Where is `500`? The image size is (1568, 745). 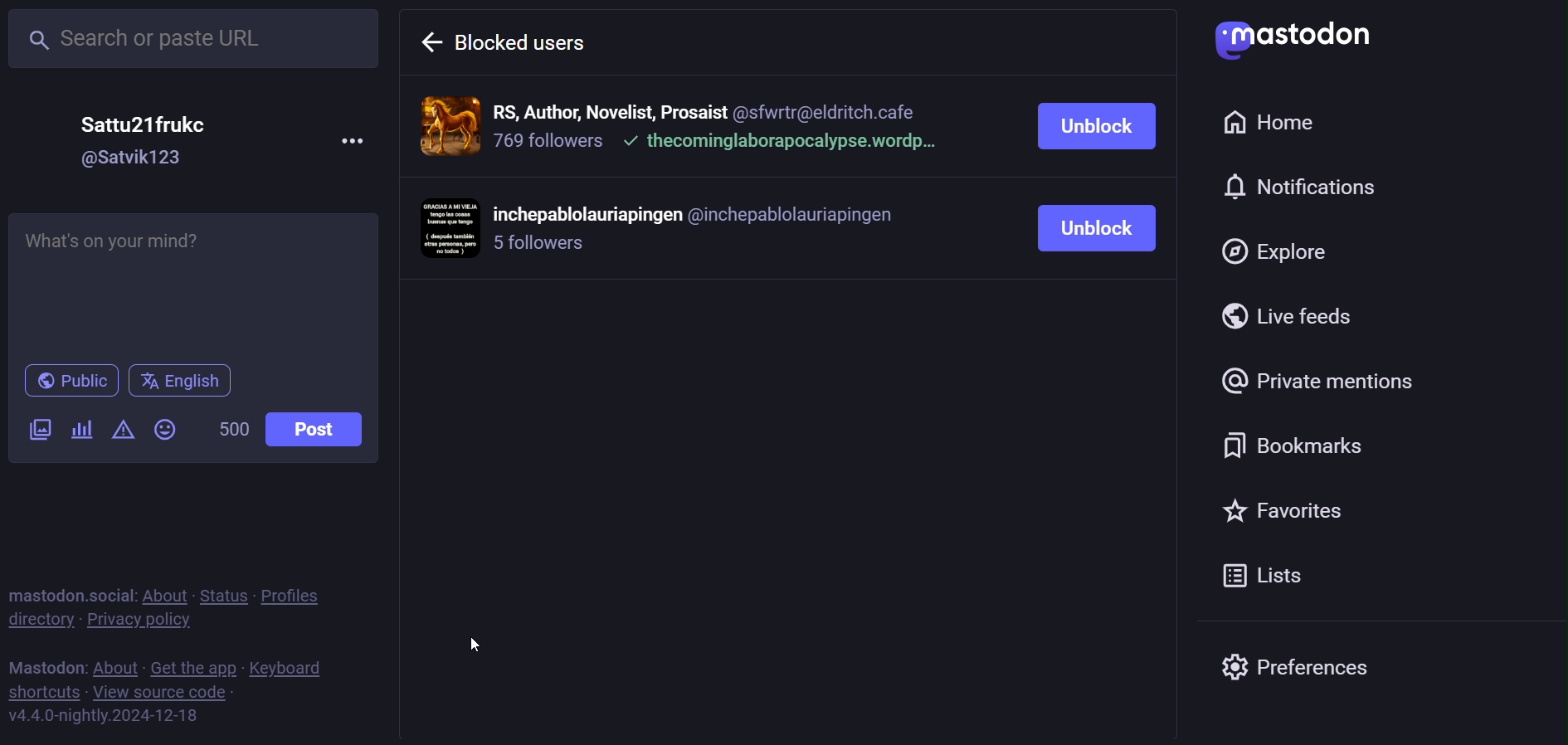 500 is located at coordinates (231, 426).